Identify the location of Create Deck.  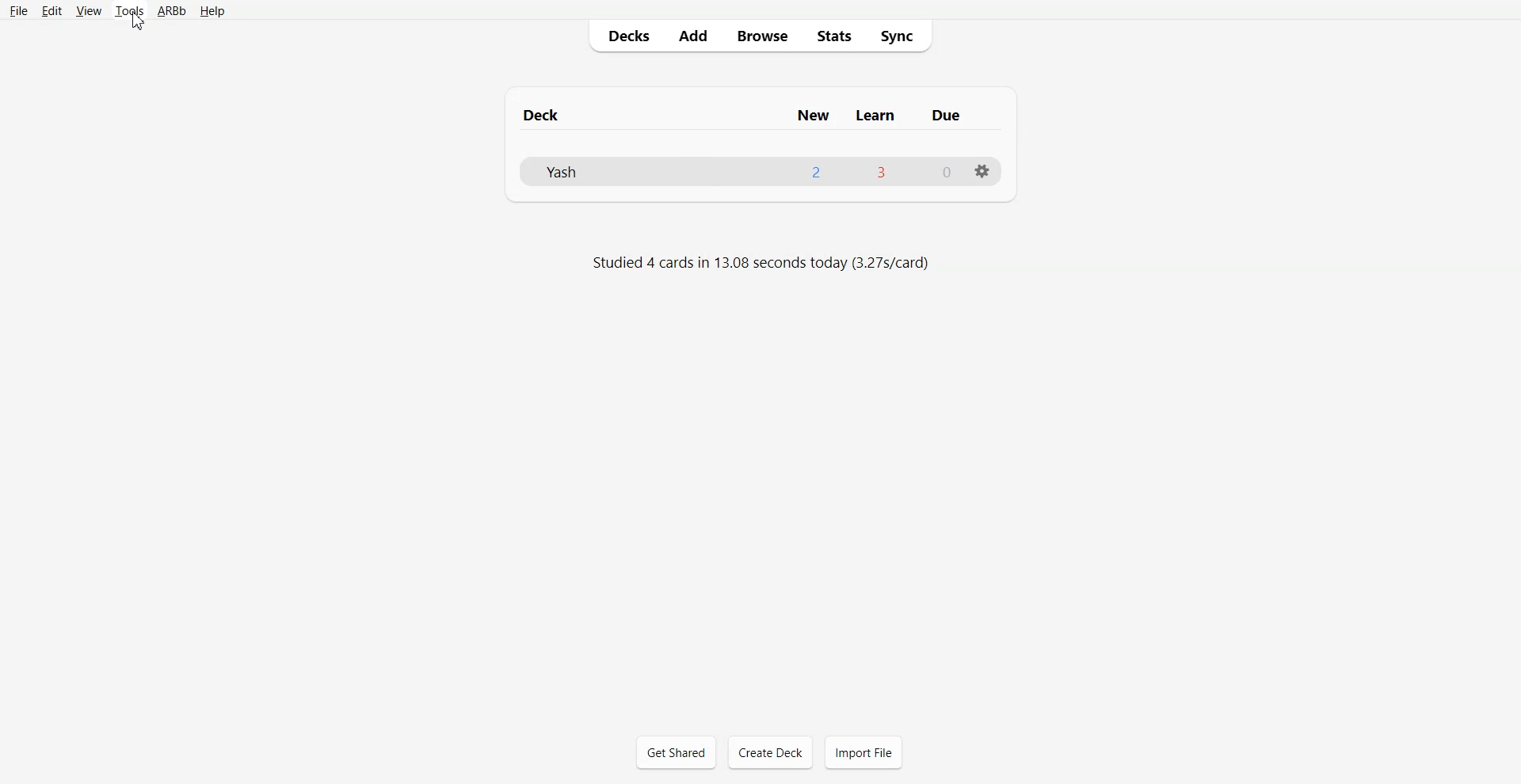
(770, 752).